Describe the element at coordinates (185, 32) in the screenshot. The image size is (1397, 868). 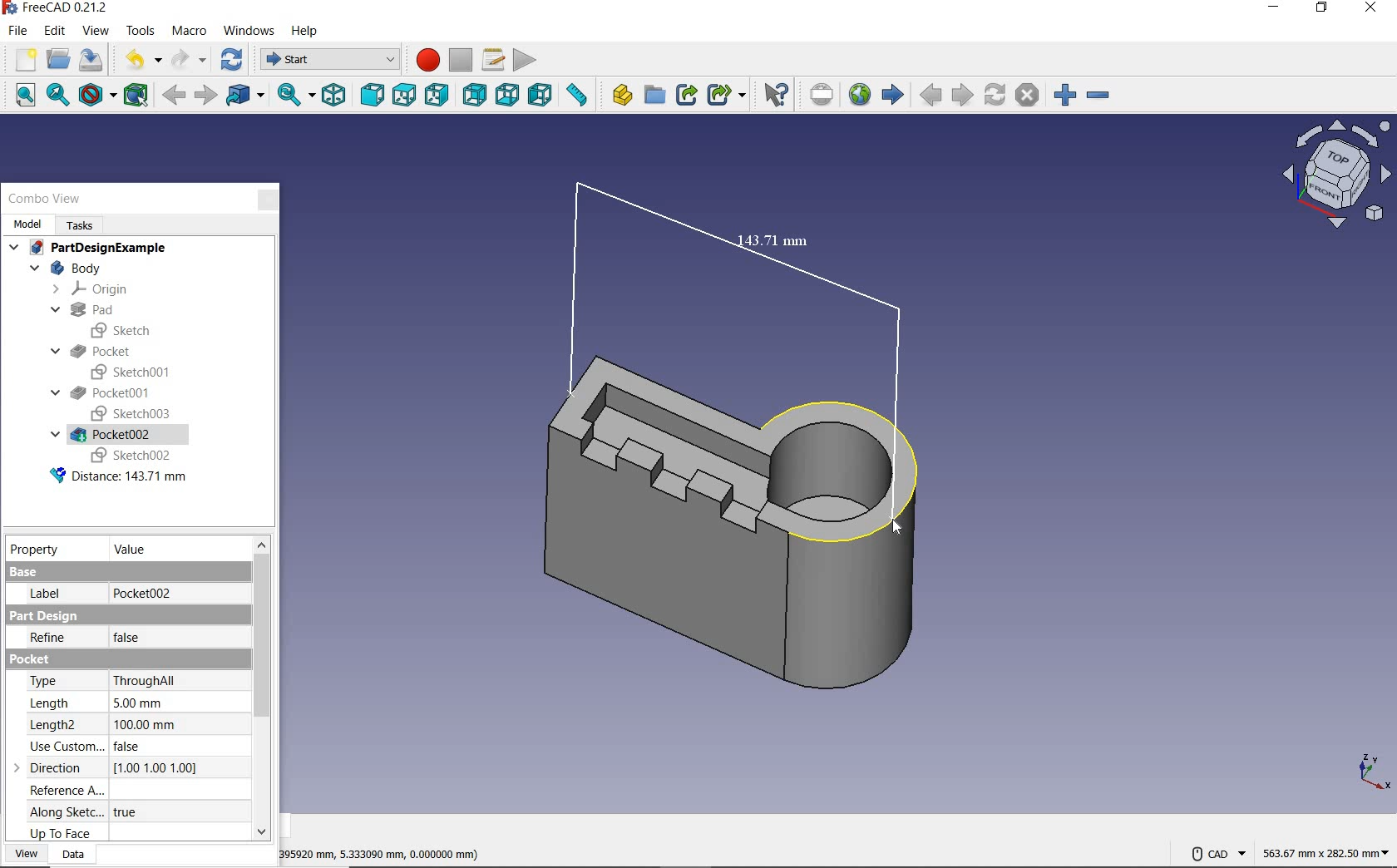
I see `macro` at that location.